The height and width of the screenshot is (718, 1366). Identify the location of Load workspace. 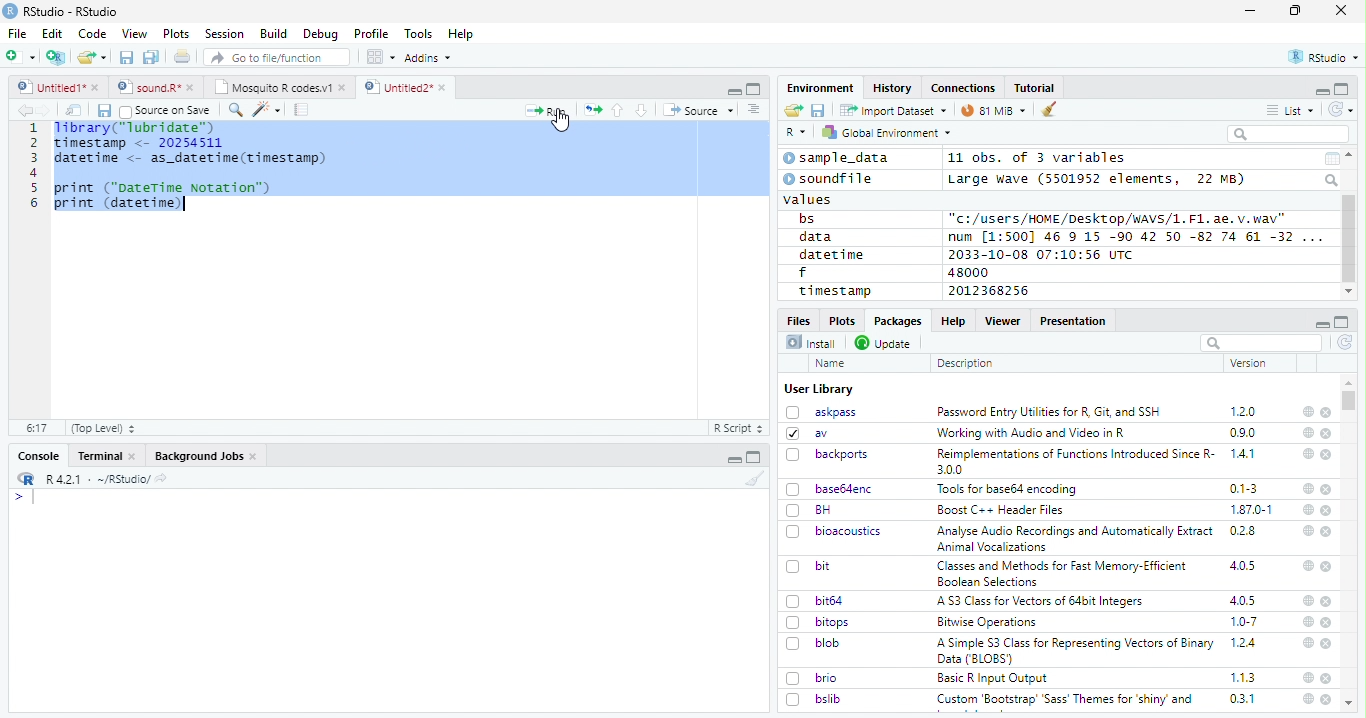
(794, 111).